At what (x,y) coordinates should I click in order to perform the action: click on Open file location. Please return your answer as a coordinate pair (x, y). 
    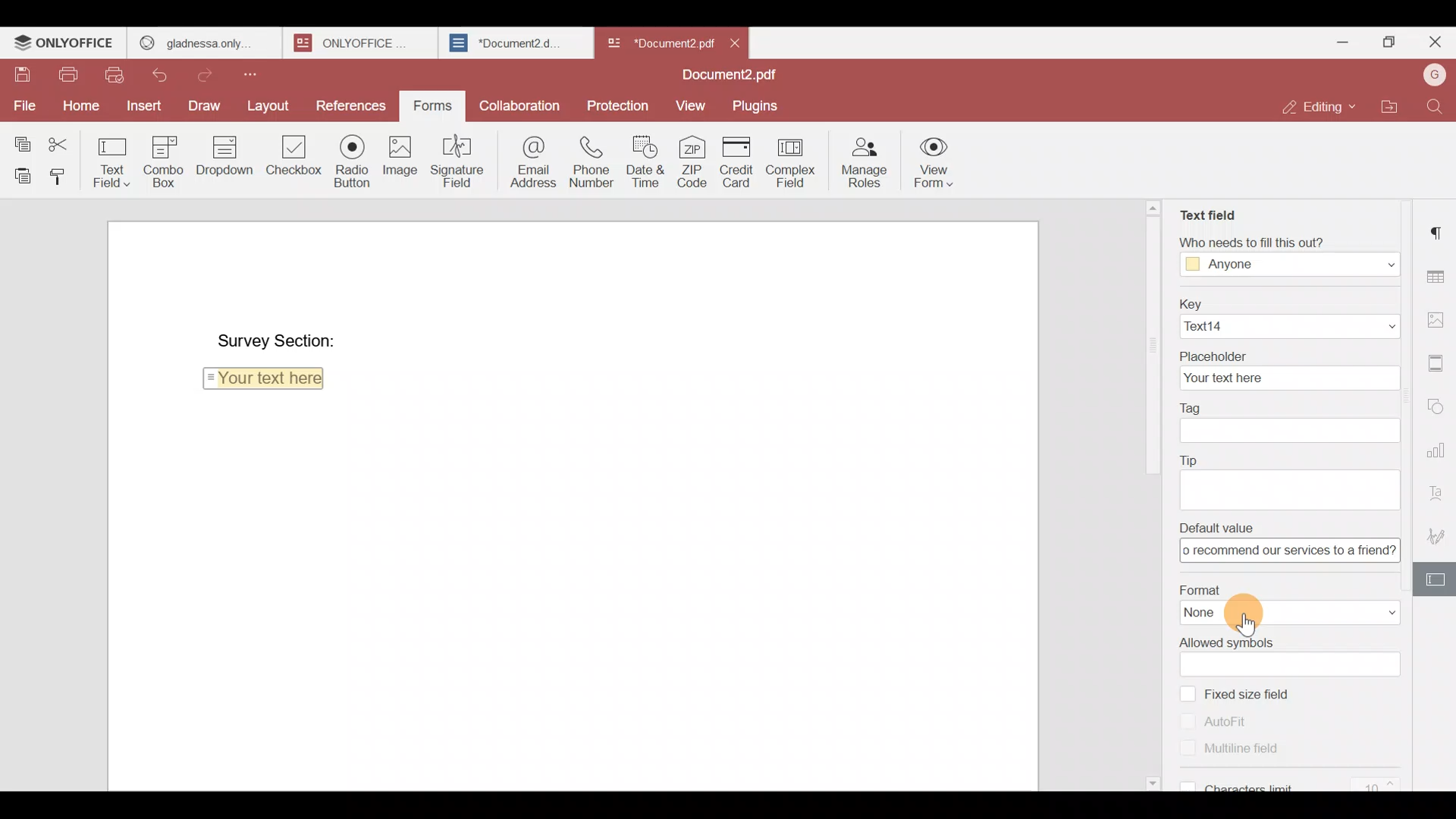
    Looking at the image, I should click on (1396, 108).